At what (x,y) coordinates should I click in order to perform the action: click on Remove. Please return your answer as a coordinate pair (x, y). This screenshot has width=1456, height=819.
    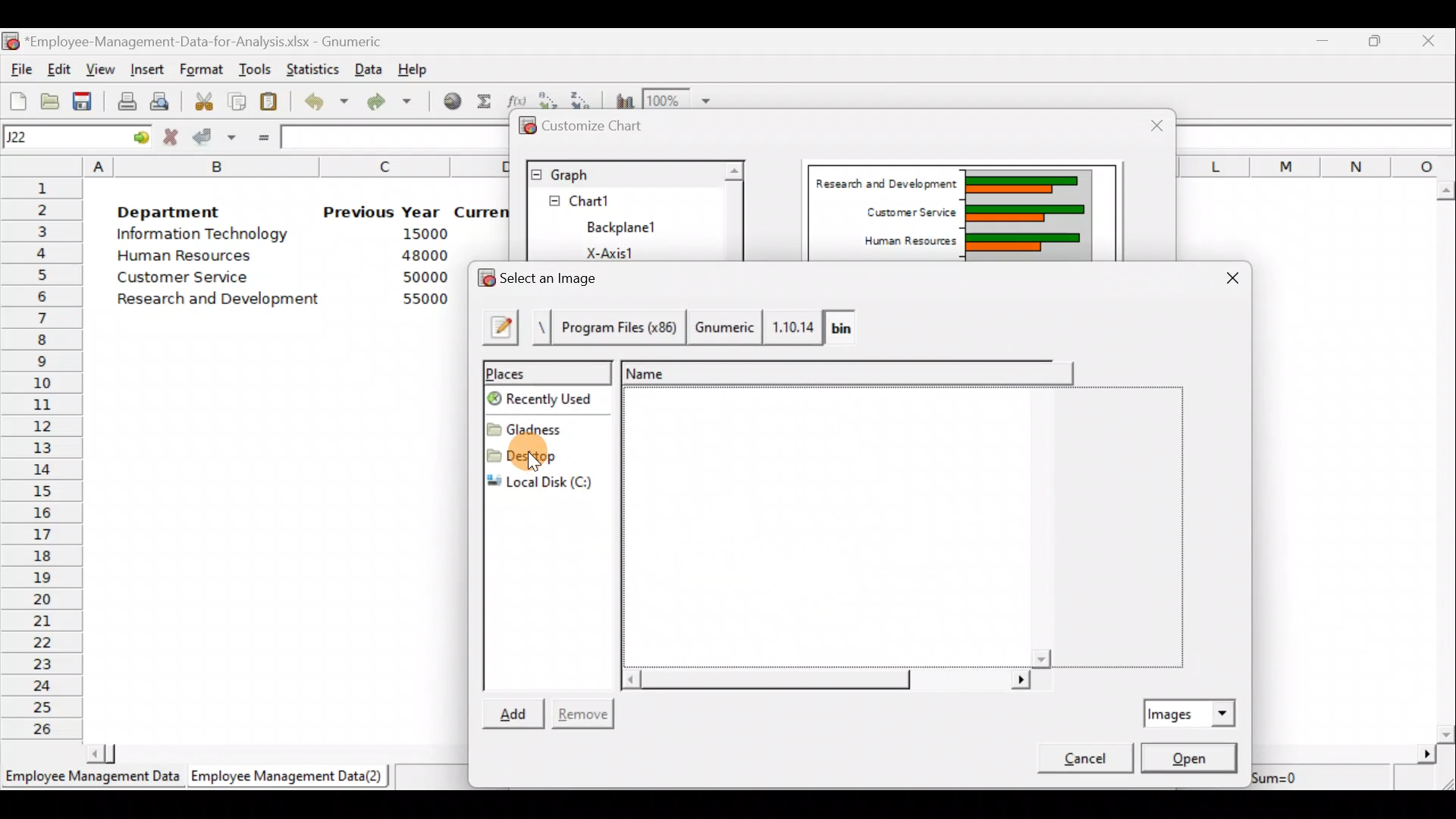
    Looking at the image, I should click on (585, 711).